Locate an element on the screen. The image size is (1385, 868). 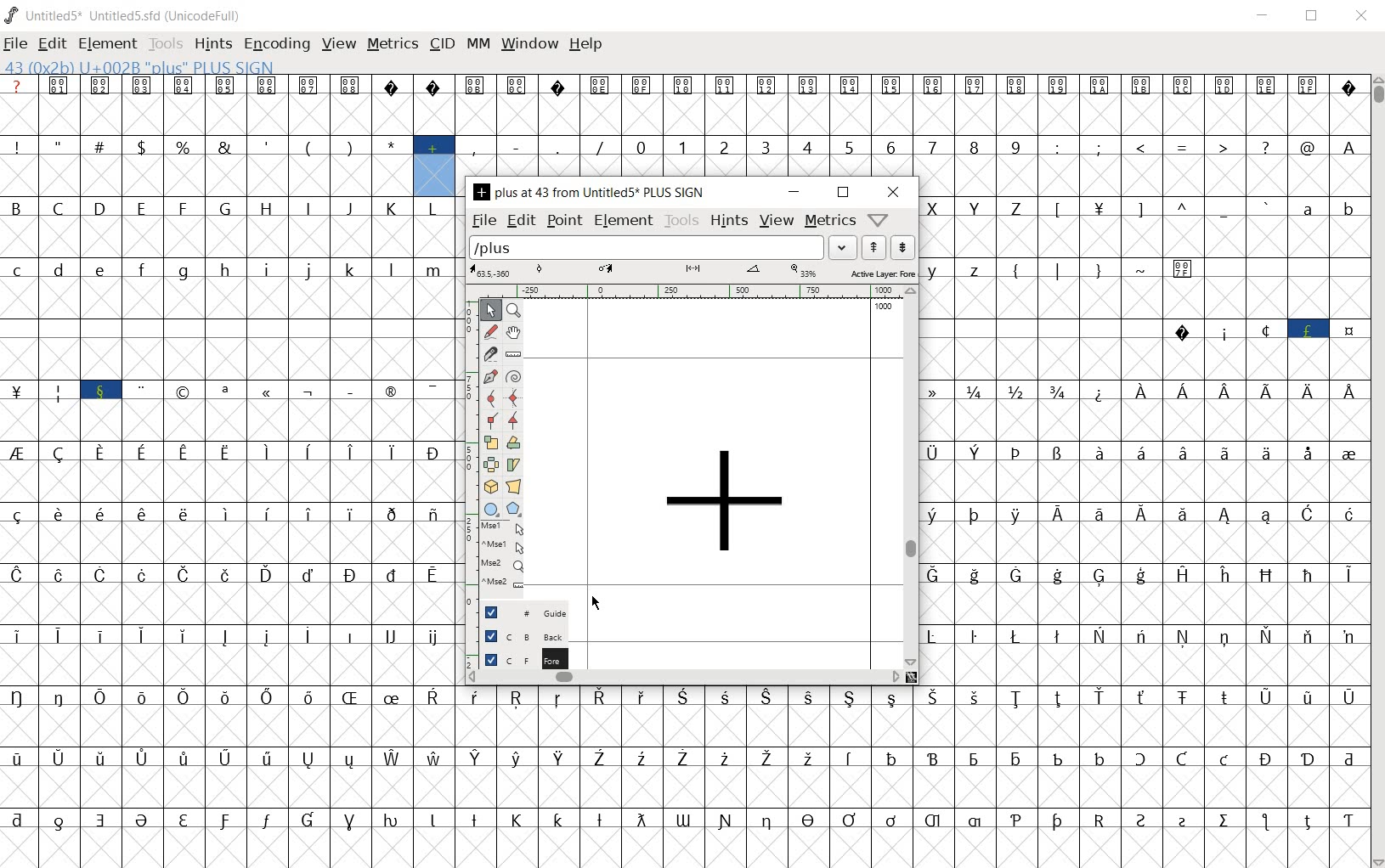
Slot is located at coordinates (1284, 287).